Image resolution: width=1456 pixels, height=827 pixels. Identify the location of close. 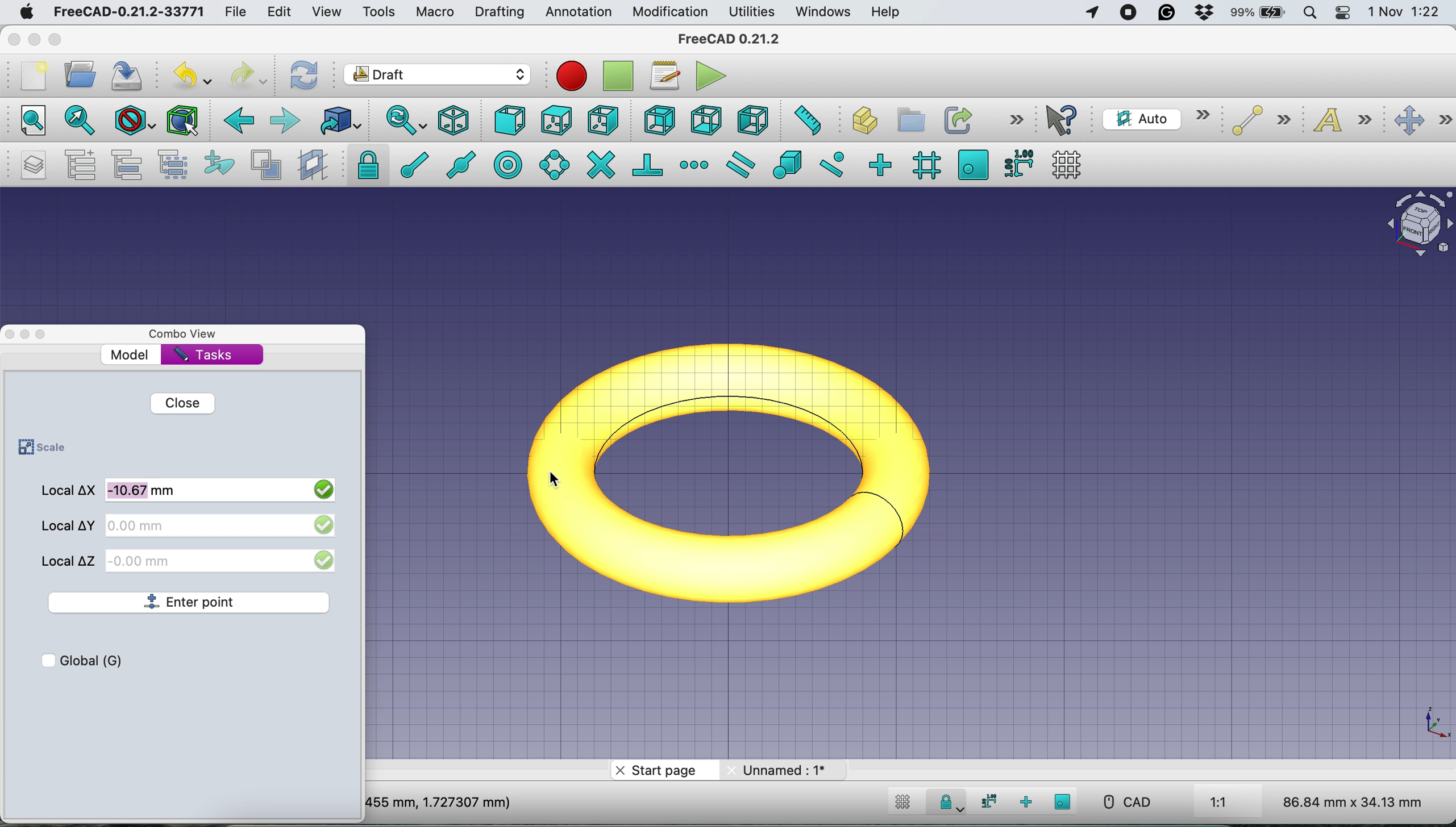
(12, 39).